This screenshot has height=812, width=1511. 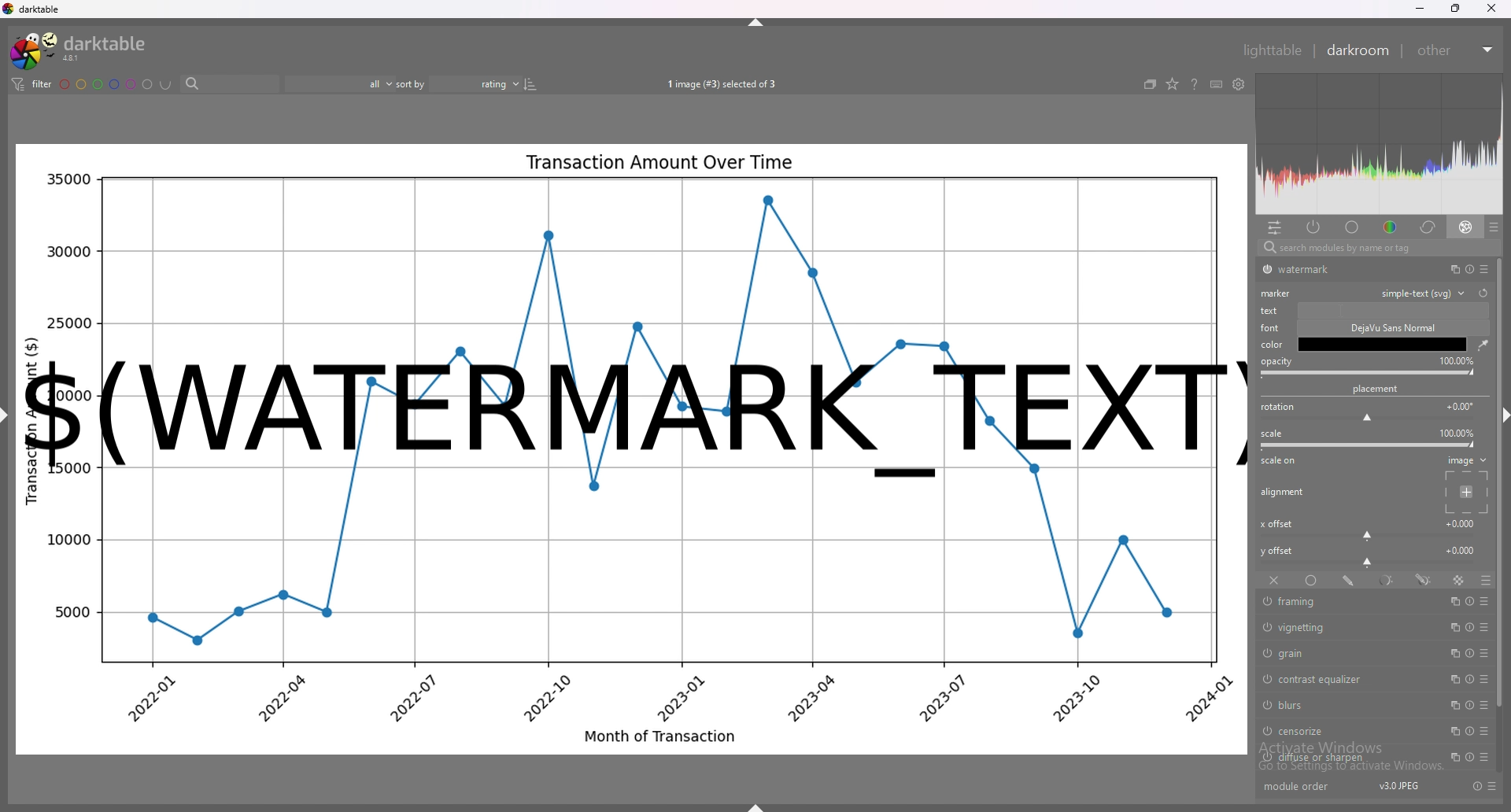 What do you see at coordinates (1346, 602) in the screenshot?
I see `framing` at bounding box center [1346, 602].